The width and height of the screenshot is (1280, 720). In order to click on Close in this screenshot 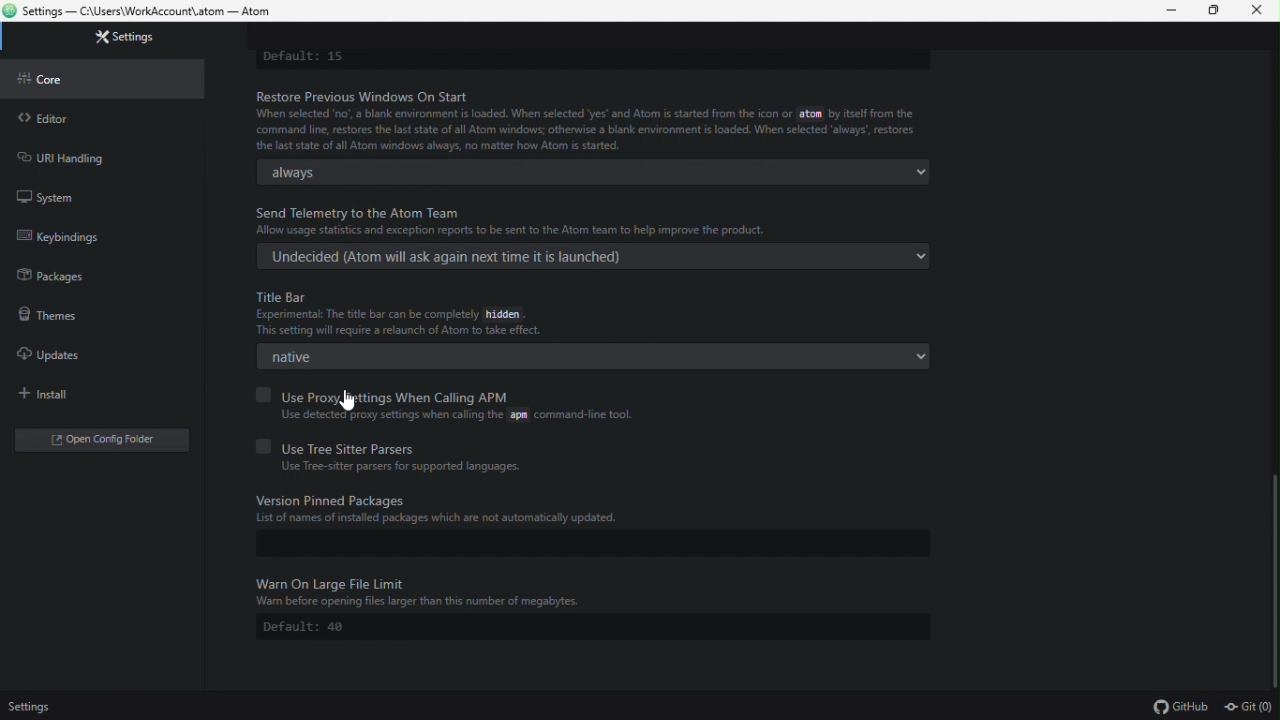, I will do `click(1257, 13)`.